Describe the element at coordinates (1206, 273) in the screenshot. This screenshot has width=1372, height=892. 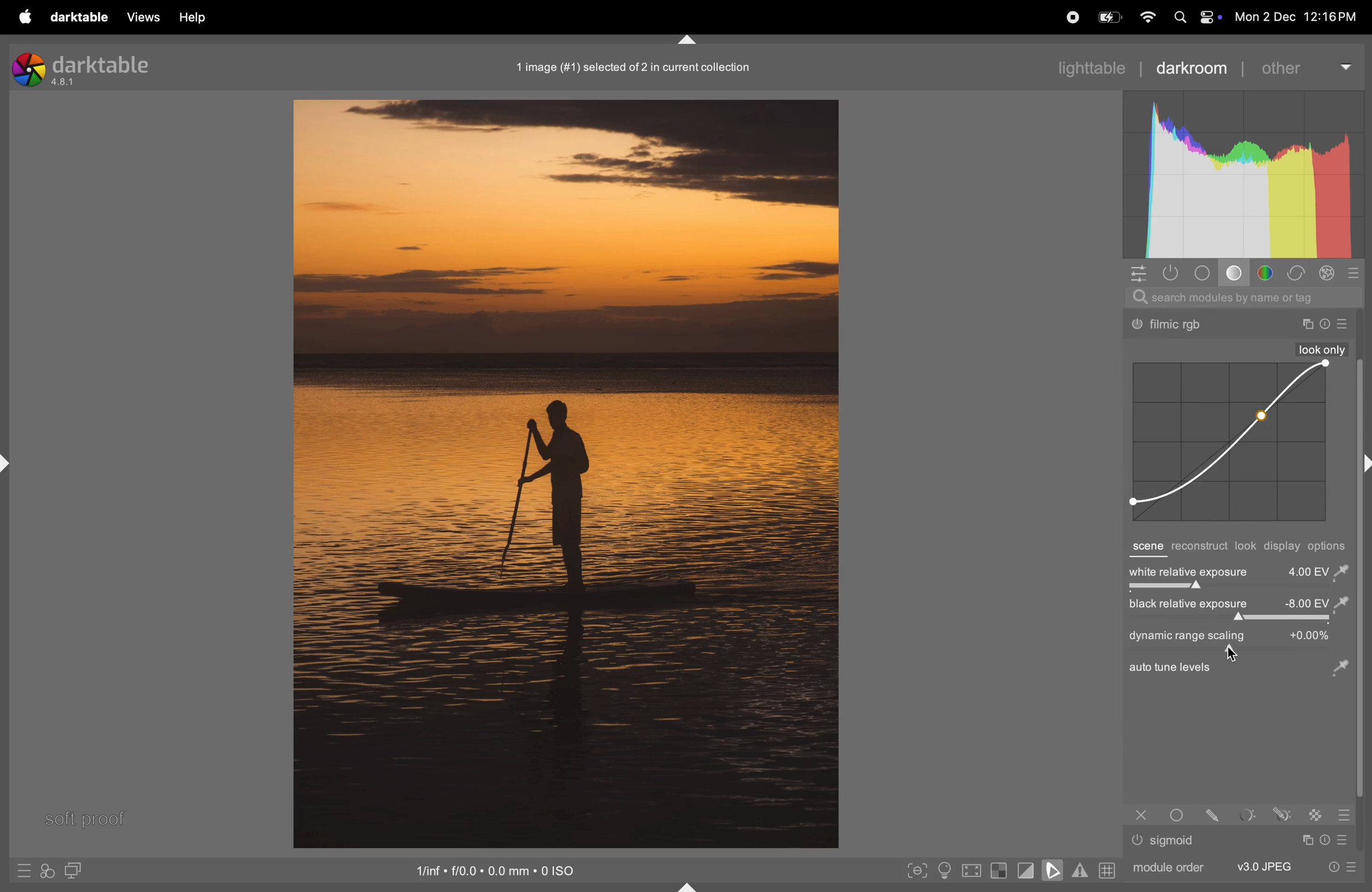
I see `tone ` at that location.